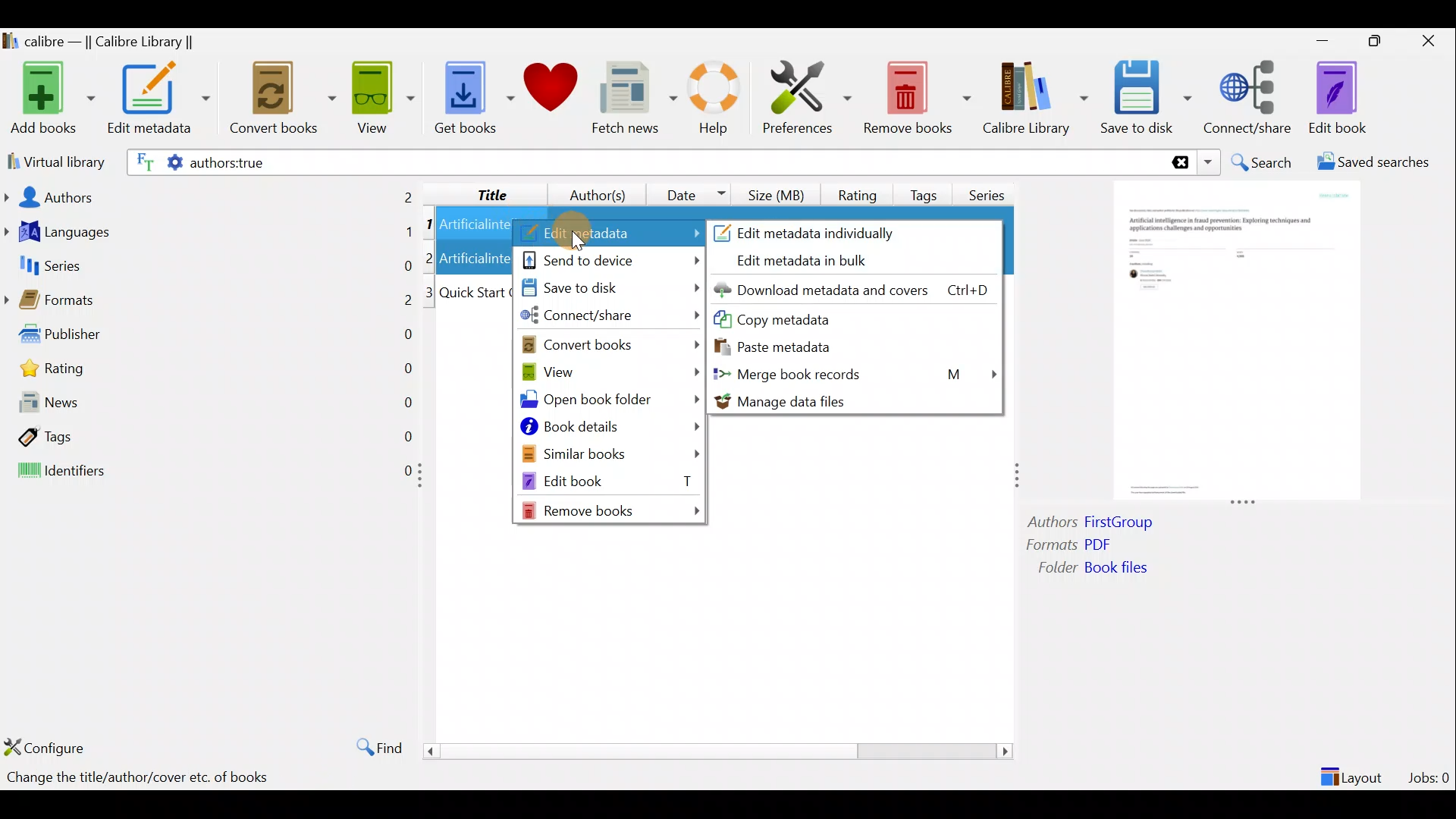 The height and width of the screenshot is (819, 1456). I want to click on View, so click(381, 96).